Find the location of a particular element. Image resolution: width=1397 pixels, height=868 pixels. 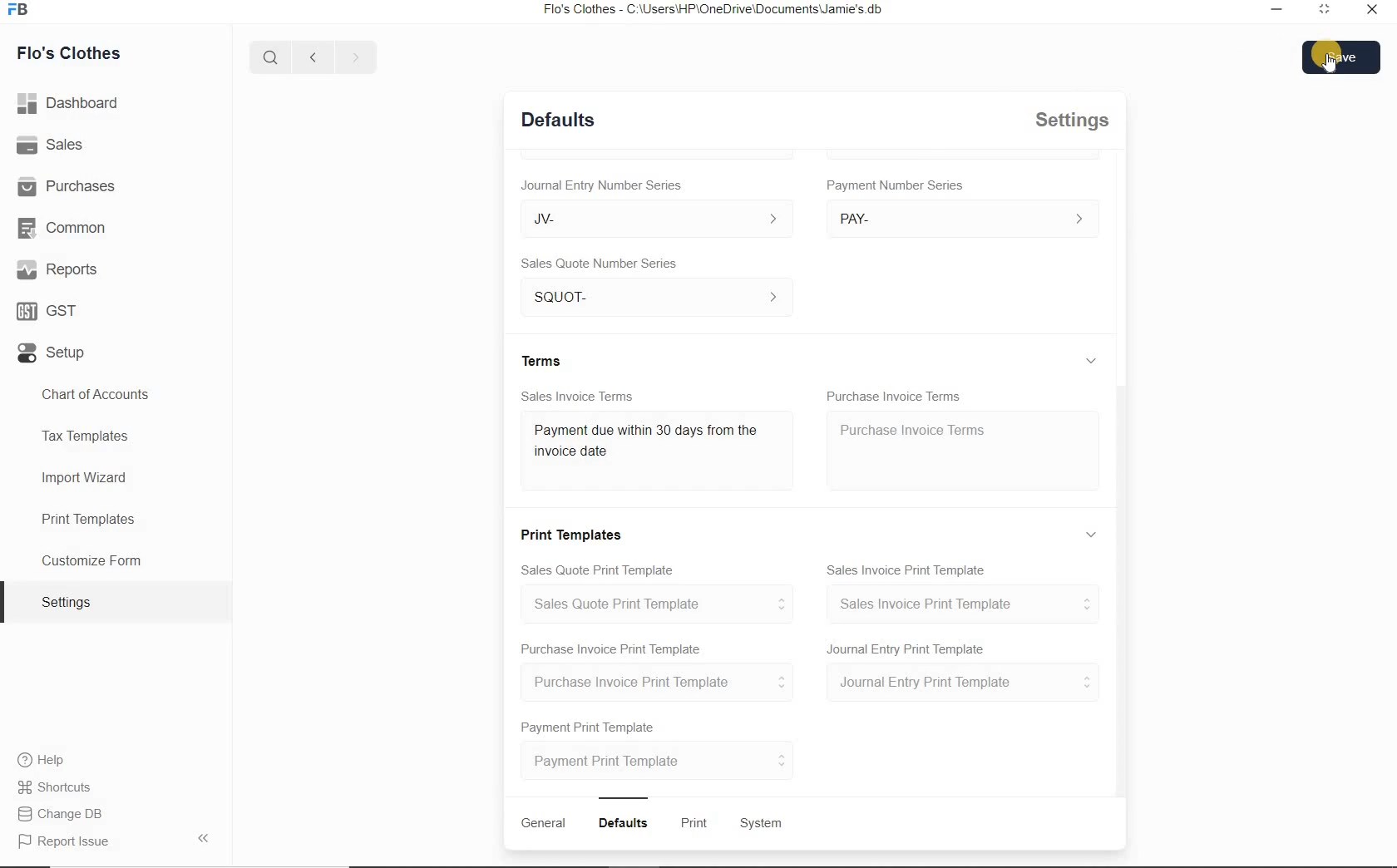

Journal Entry Number Series is located at coordinates (601, 185).